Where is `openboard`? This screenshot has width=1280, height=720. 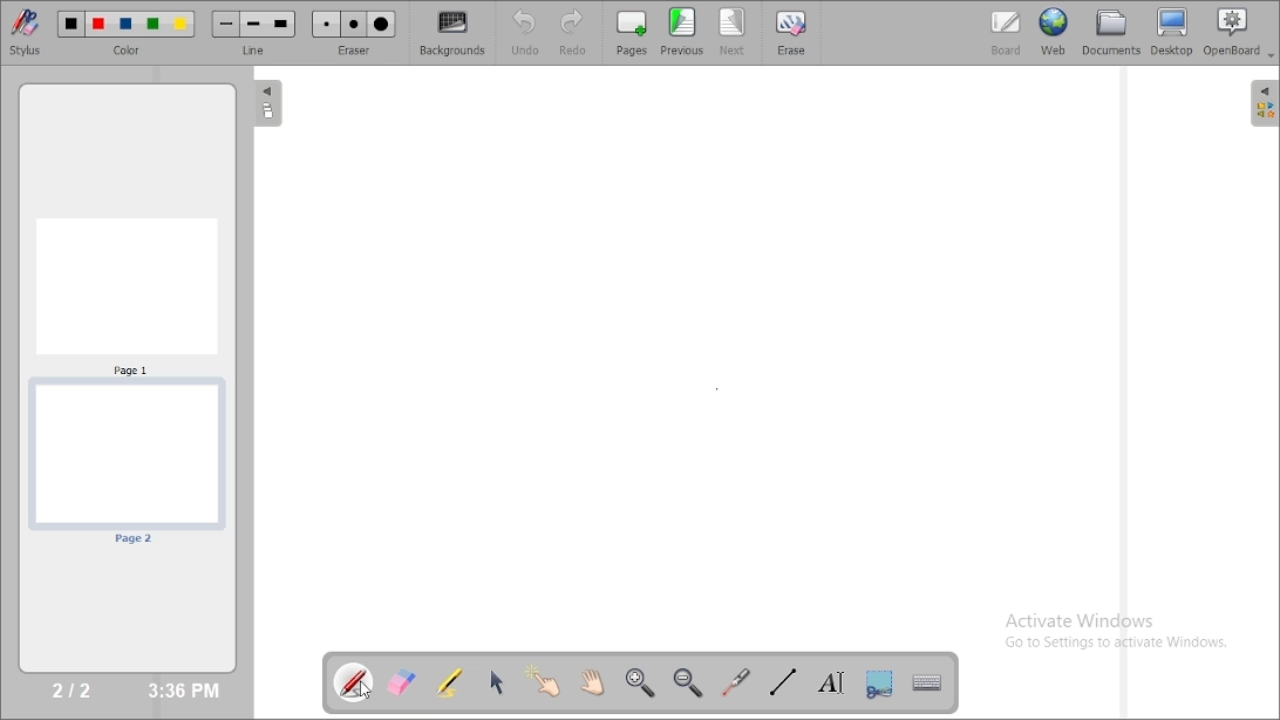 openboard is located at coordinates (1239, 33).